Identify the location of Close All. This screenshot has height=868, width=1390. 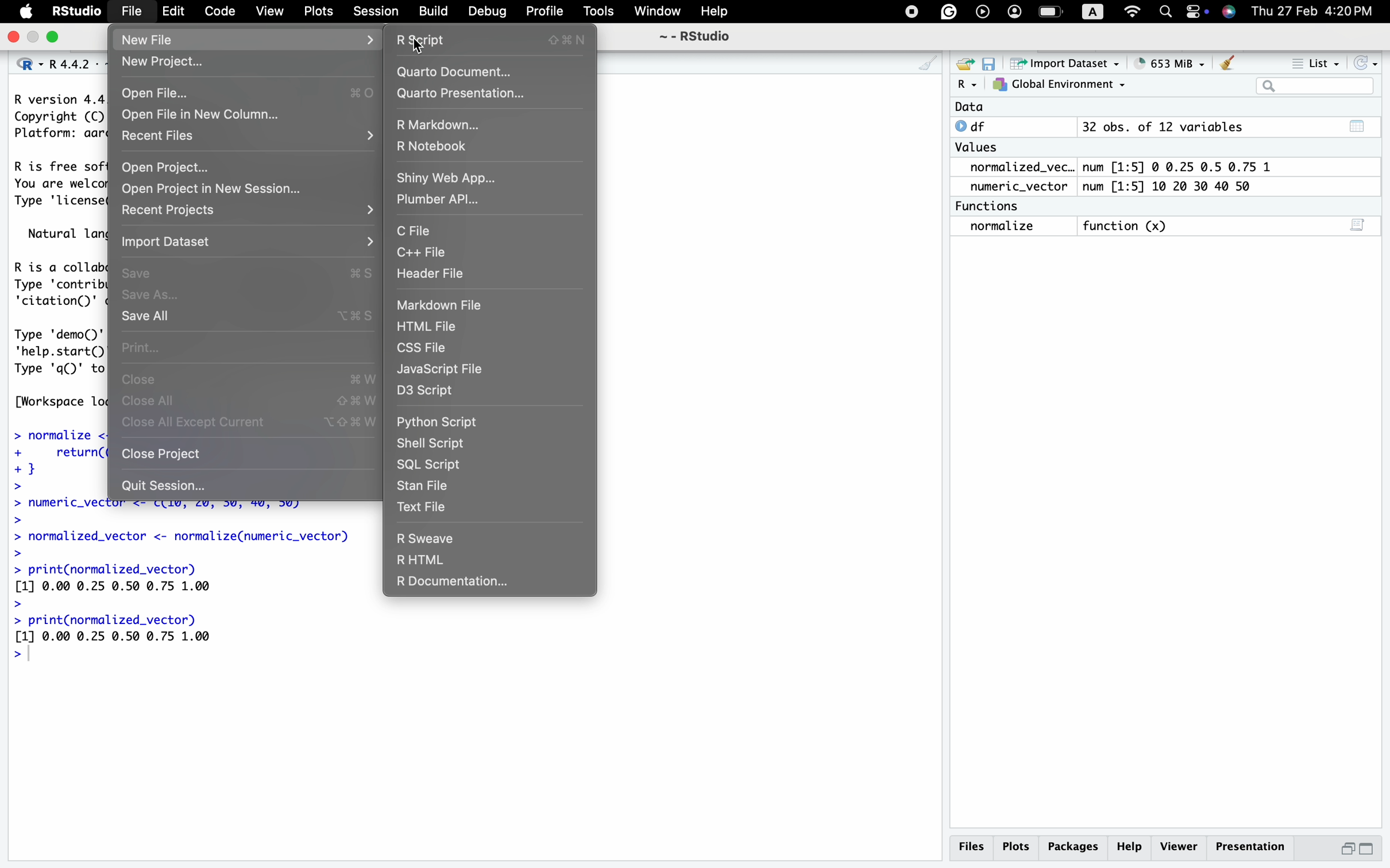
(150, 402).